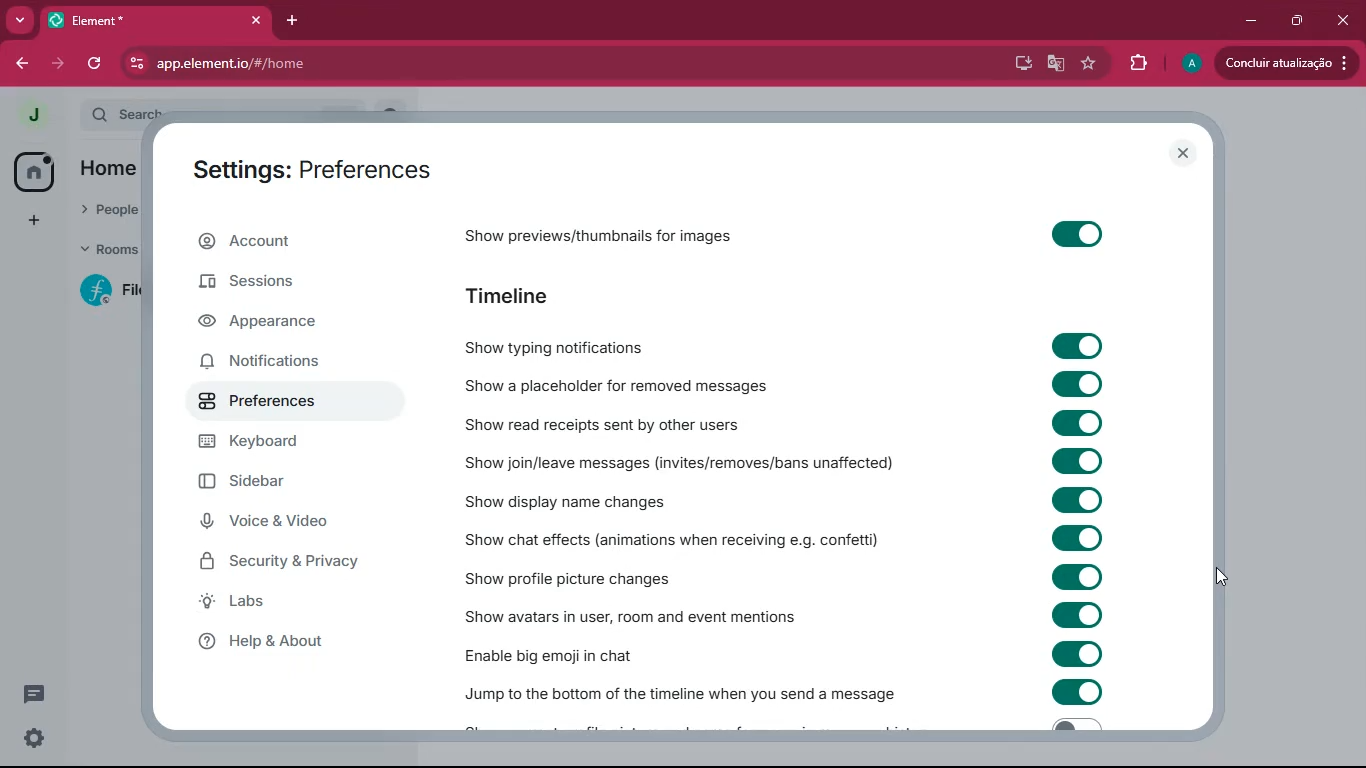  I want to click on show a placeholder for removed messages, so click(658, 385).